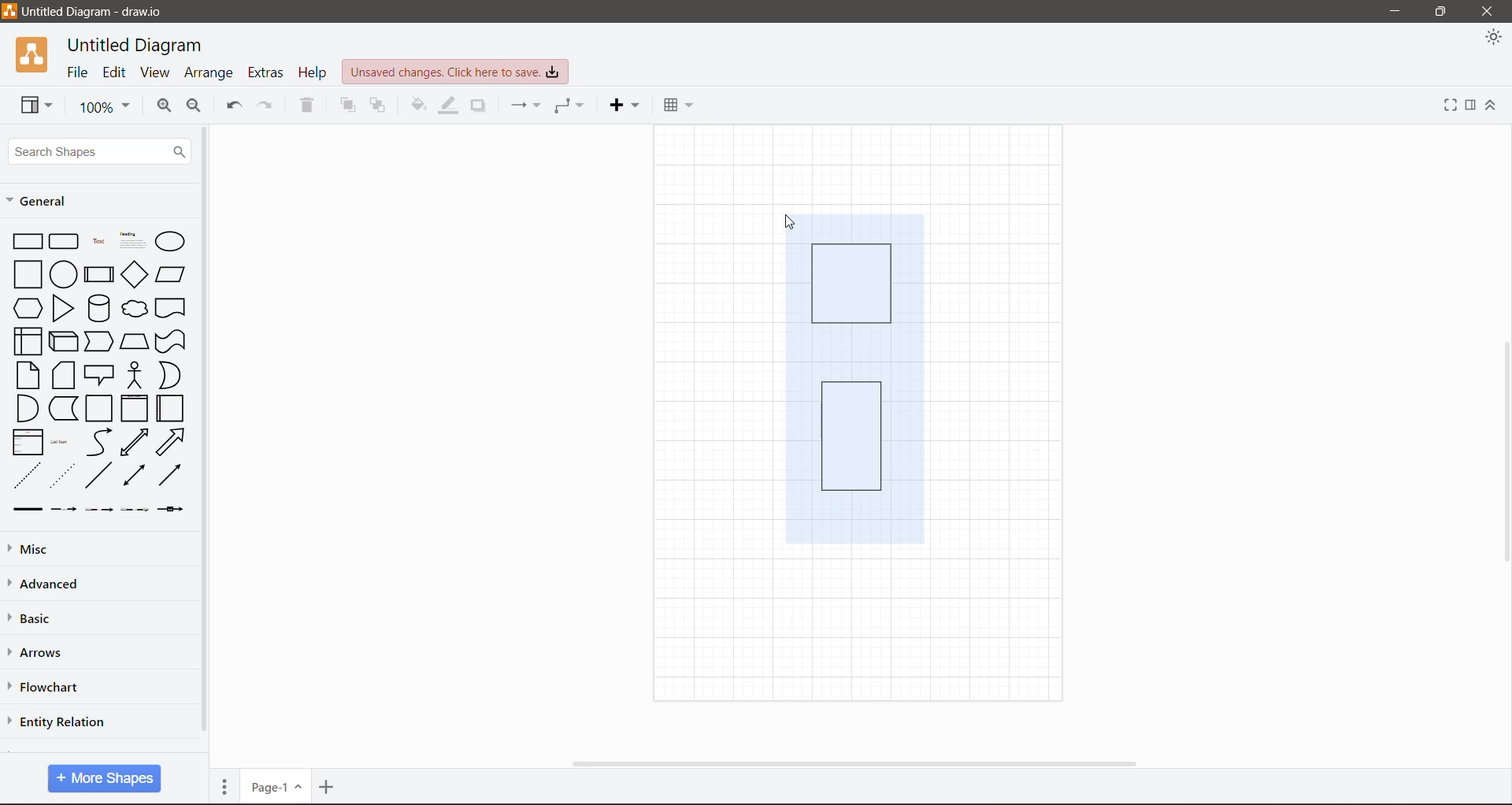  I want to click on , so click(138, 45).